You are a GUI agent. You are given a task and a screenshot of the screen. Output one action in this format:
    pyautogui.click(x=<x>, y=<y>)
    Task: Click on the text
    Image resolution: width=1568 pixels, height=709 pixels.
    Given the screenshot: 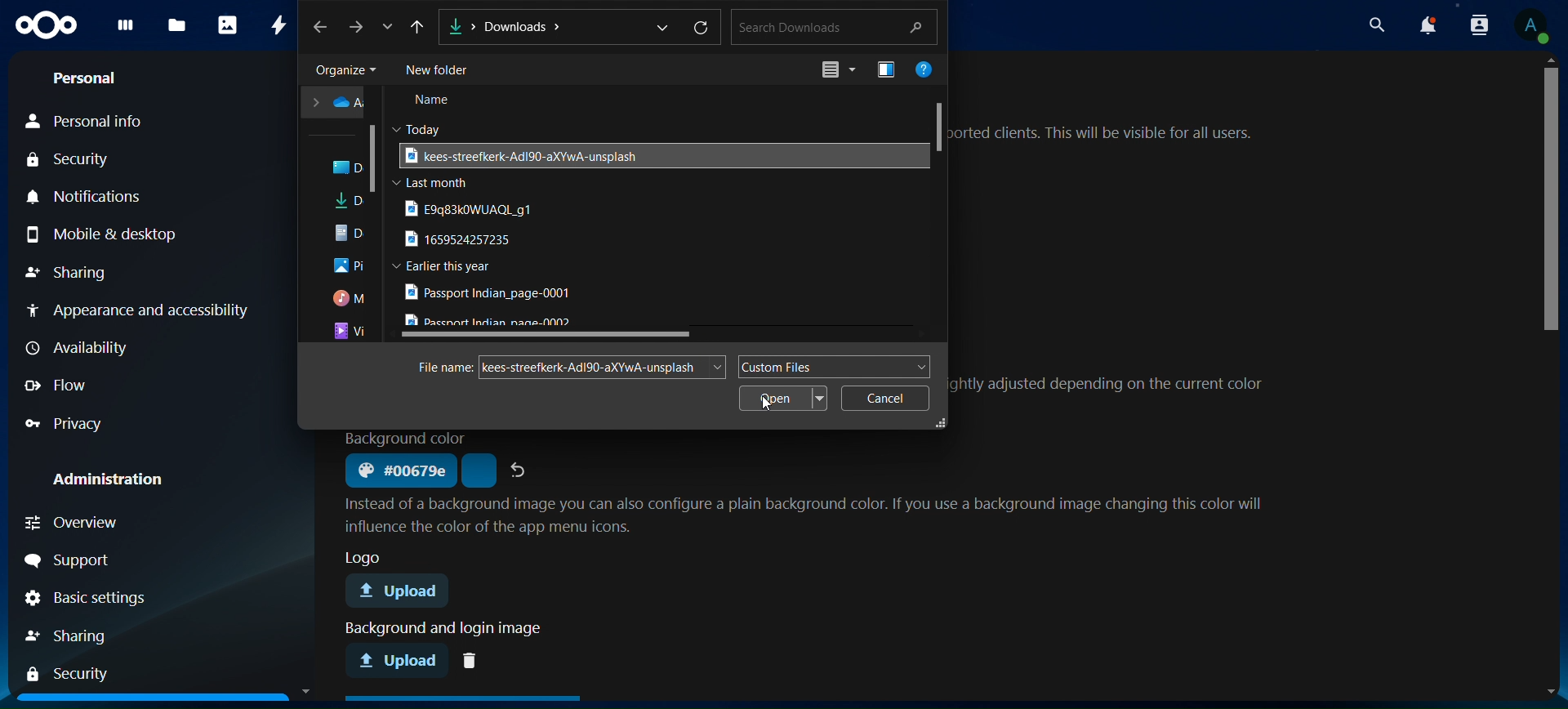 What is the action you would take?
    pyautogui.click(x=406, y=438)
    